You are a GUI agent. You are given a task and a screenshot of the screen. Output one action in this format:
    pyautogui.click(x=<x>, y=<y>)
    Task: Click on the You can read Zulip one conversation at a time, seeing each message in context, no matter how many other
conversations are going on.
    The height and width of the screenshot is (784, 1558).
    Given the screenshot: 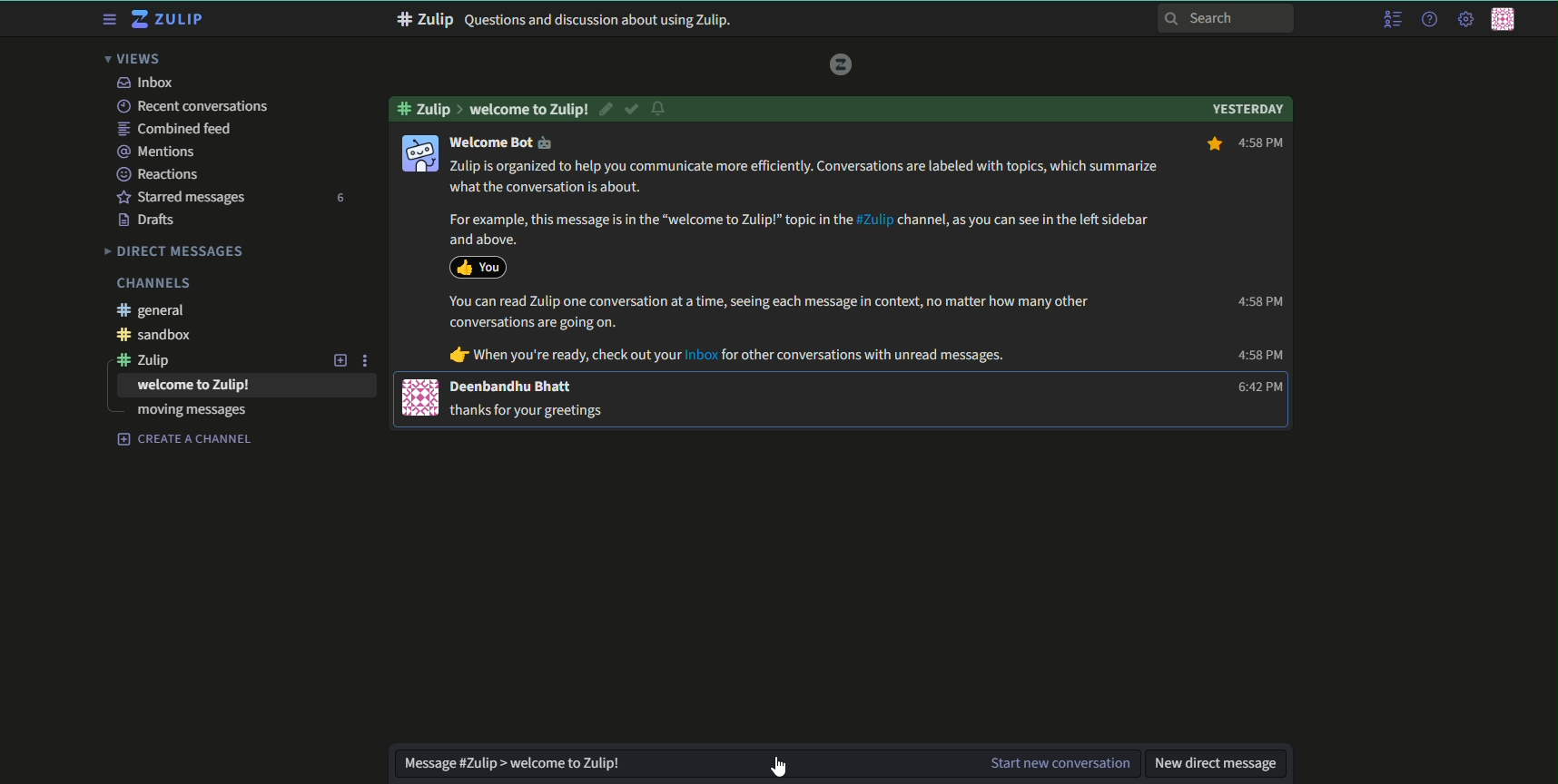 What is the action you would take?
    pyautogui.click(x=770, y=312)
    